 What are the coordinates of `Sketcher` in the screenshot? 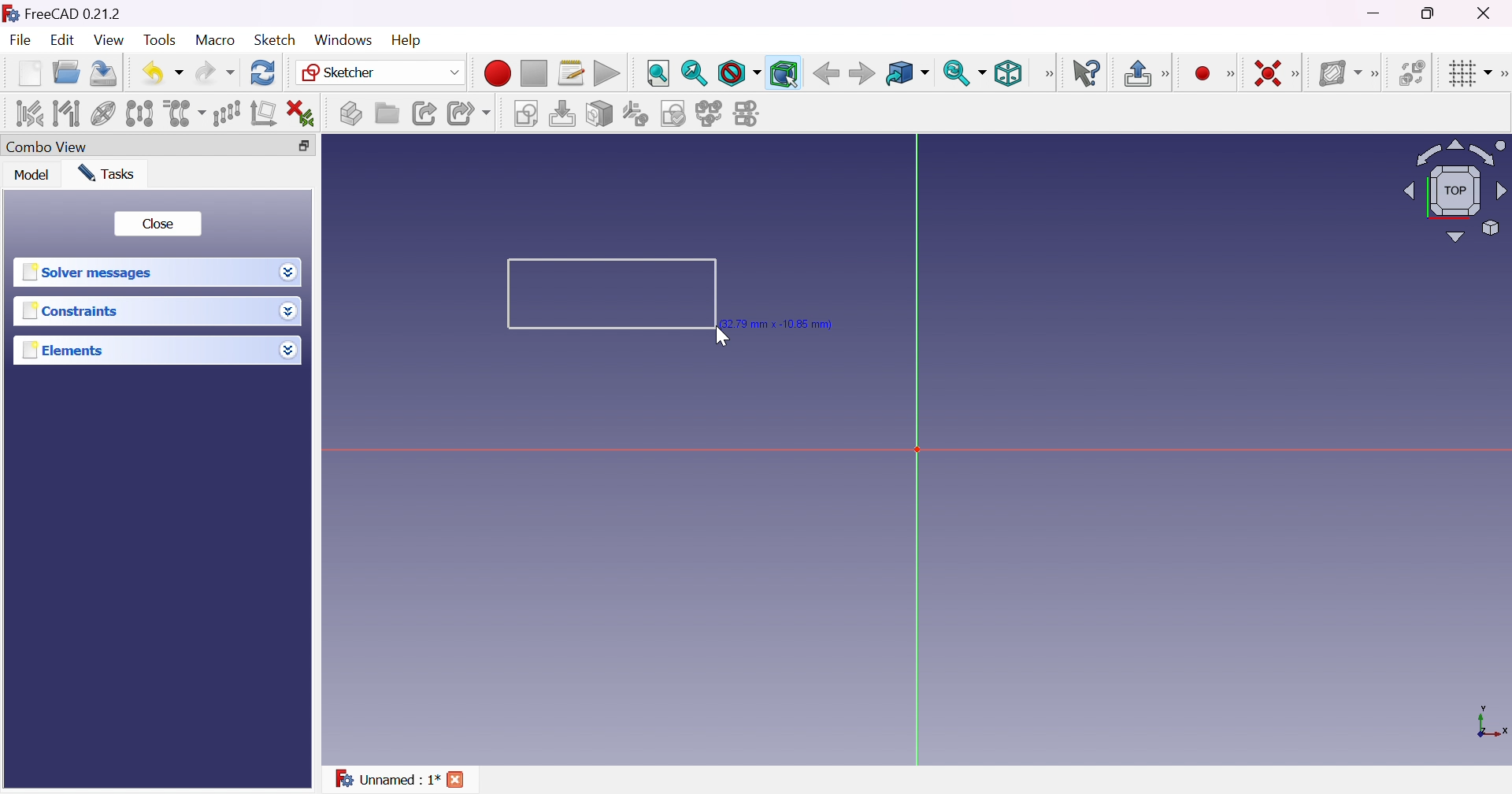 It's located at (383, 71).